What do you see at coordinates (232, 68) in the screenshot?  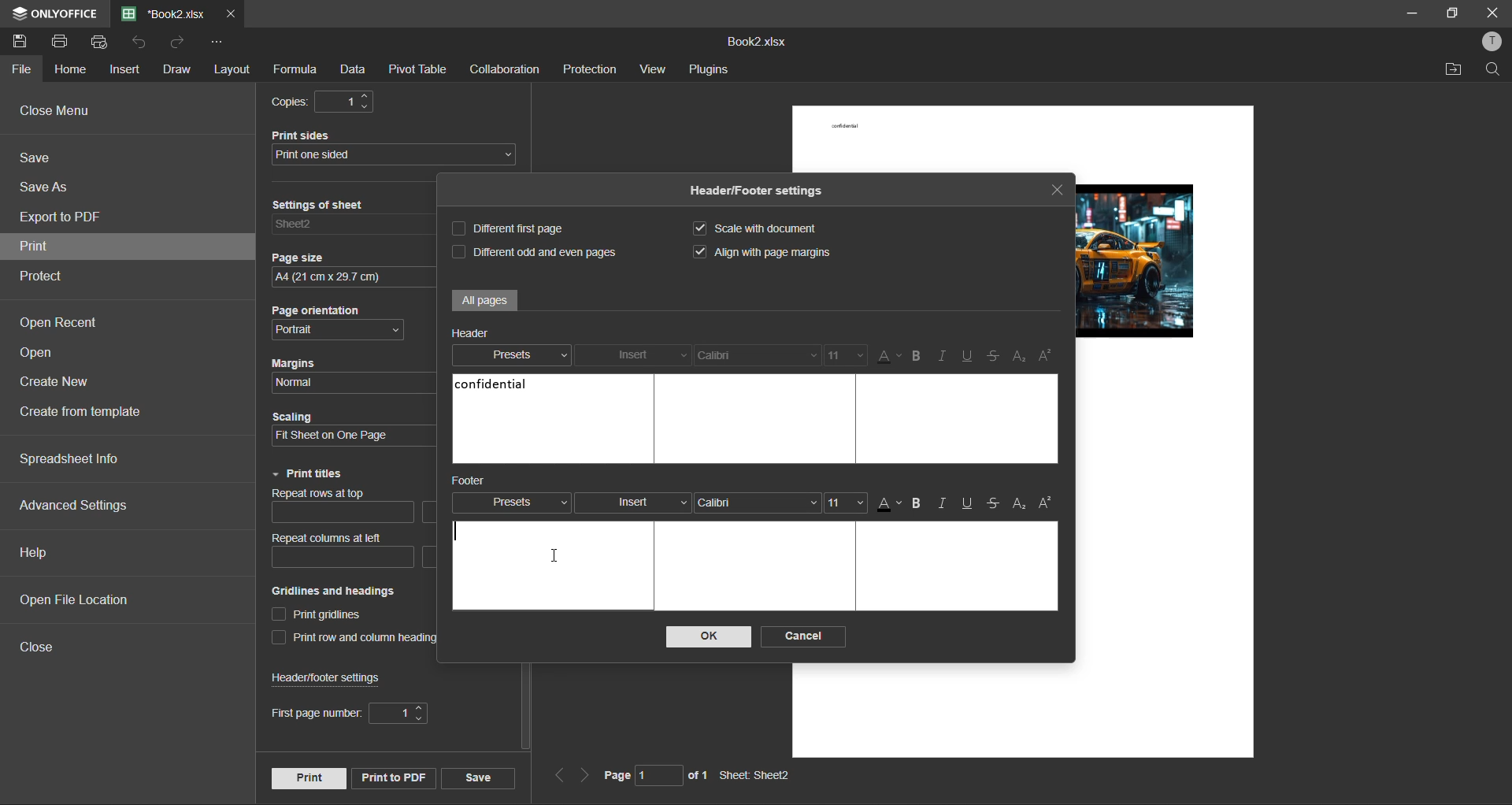 I see `layout` at bounding box center [232, 68].